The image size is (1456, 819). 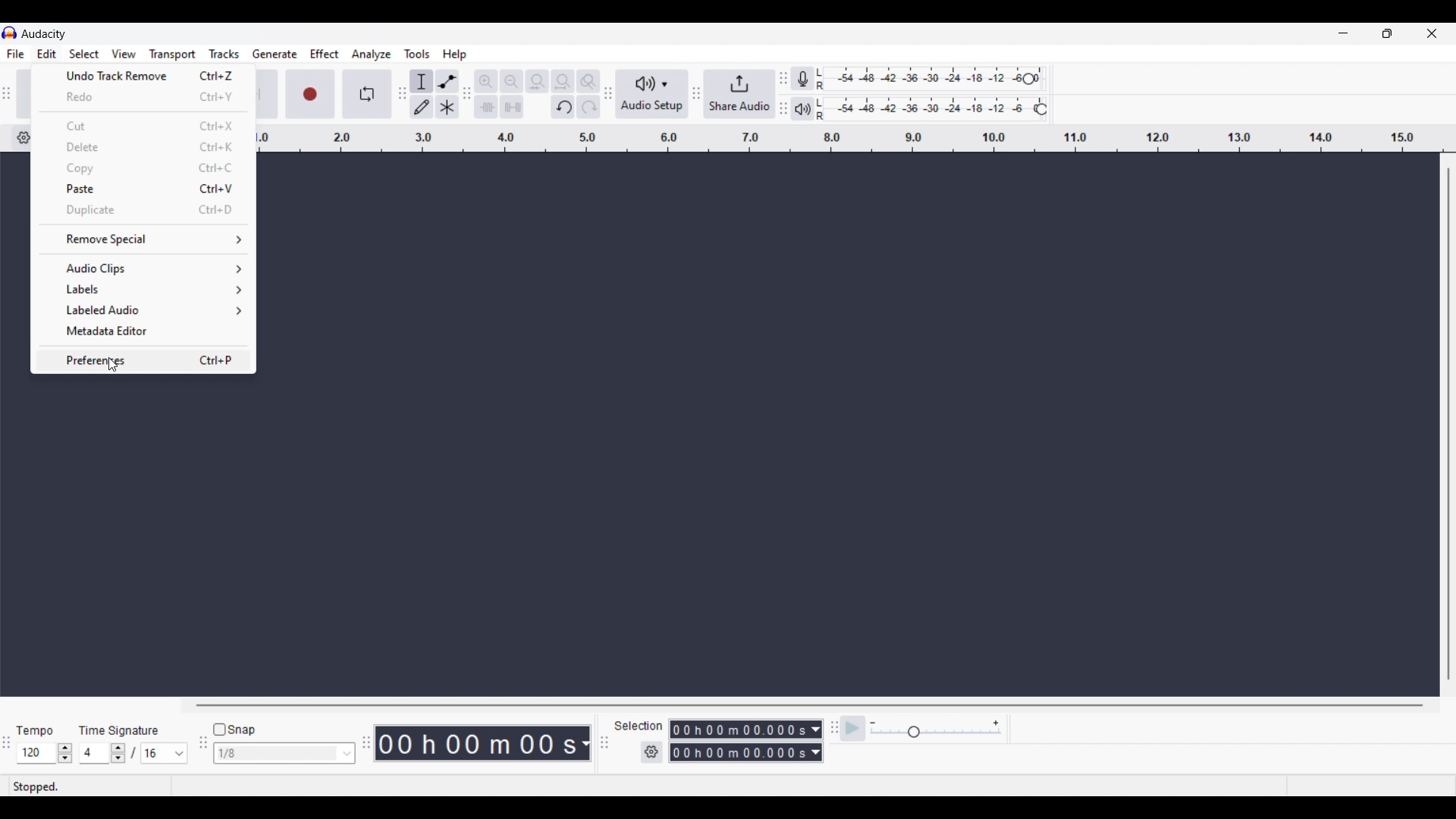 What do you see at coordinates (277, 754) in the screenshot?
I see `Type in snap input` at bounding box center [277, 754].